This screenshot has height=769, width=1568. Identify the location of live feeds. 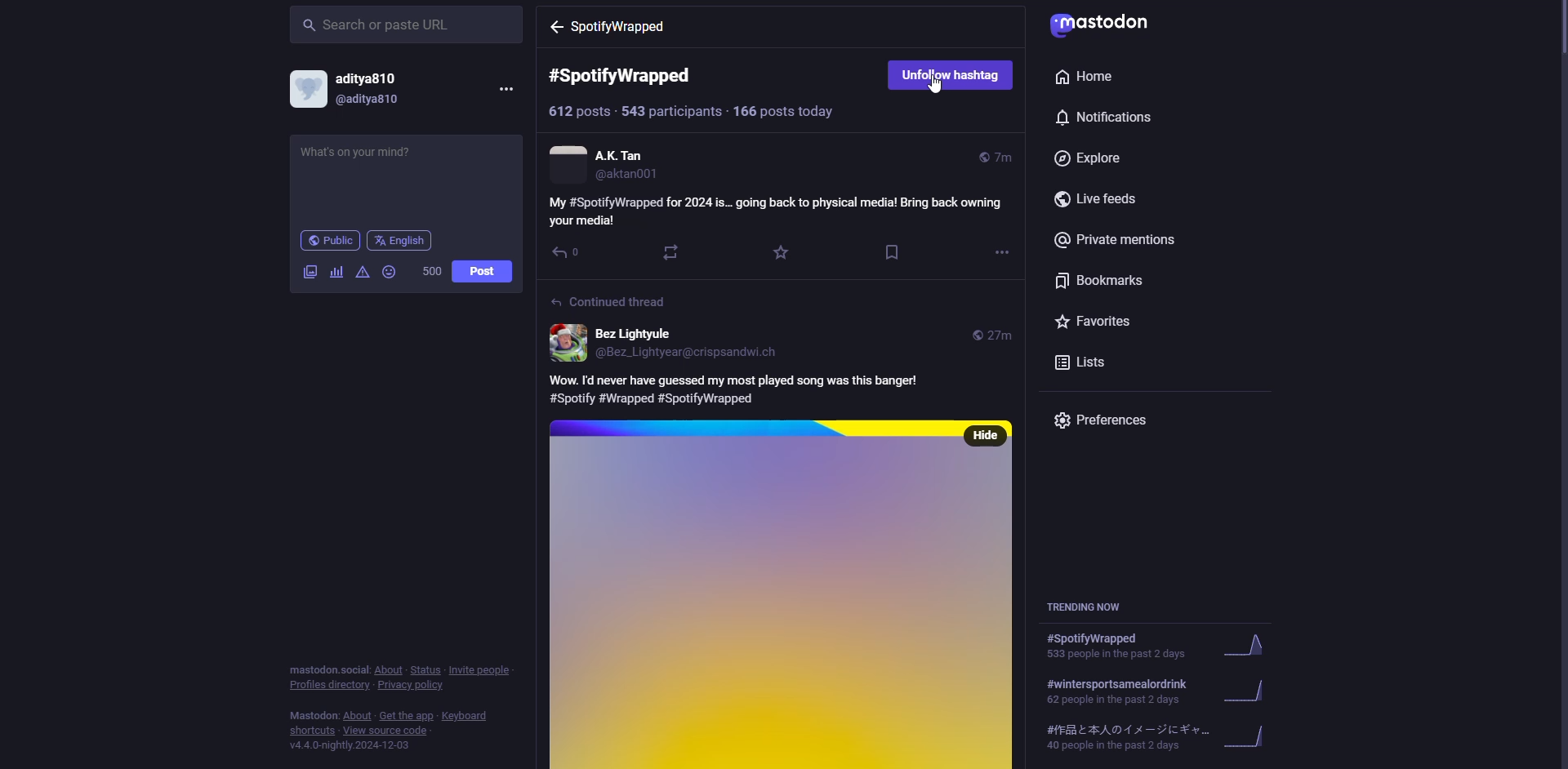
(1102, 198).